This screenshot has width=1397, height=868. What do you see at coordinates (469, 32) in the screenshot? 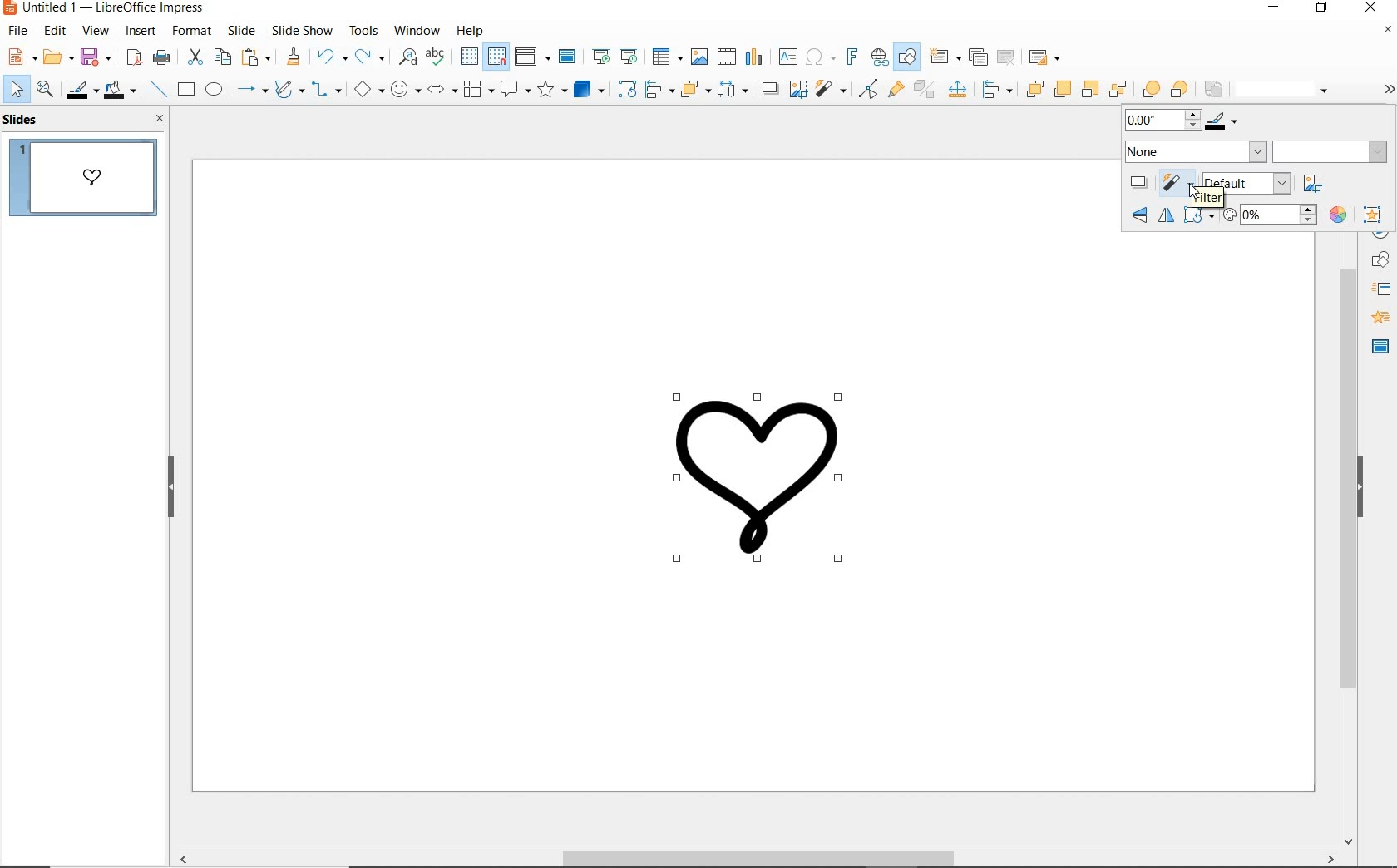
I see `help` at bounding box center [469, 32].